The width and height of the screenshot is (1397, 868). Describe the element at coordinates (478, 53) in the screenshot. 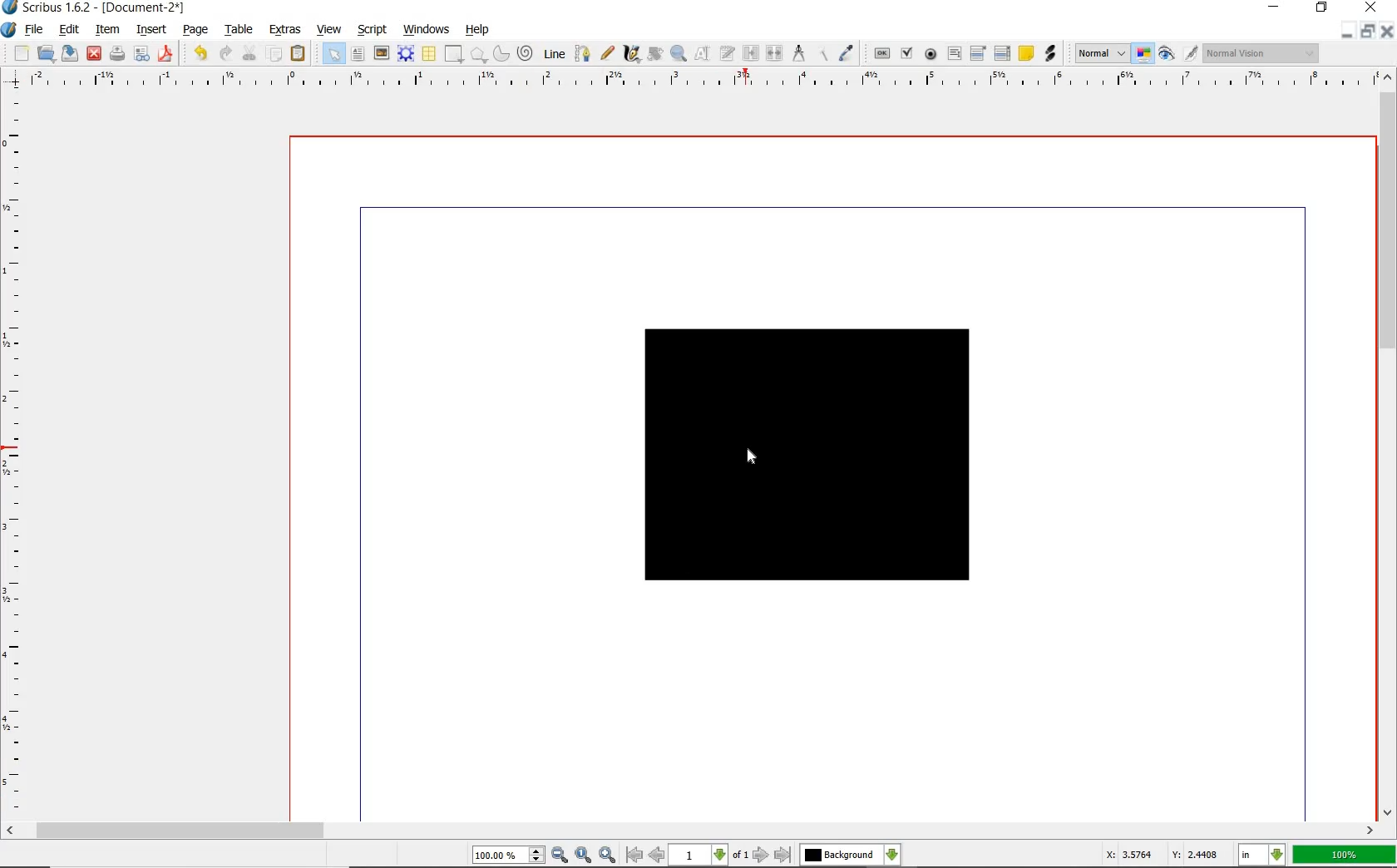

I see `polygon` at that location.